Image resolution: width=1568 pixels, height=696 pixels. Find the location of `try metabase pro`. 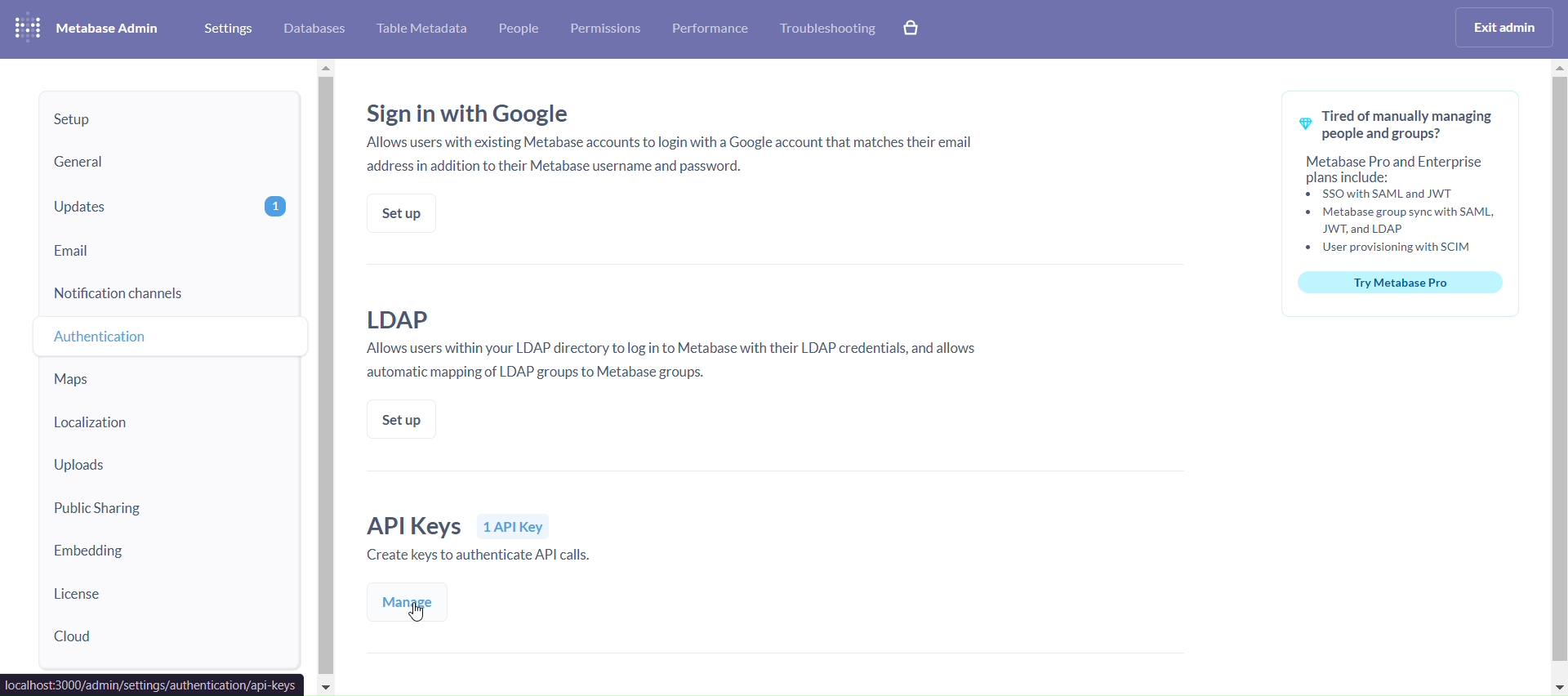

try metabase pro is located at coordinates (1403, 203).